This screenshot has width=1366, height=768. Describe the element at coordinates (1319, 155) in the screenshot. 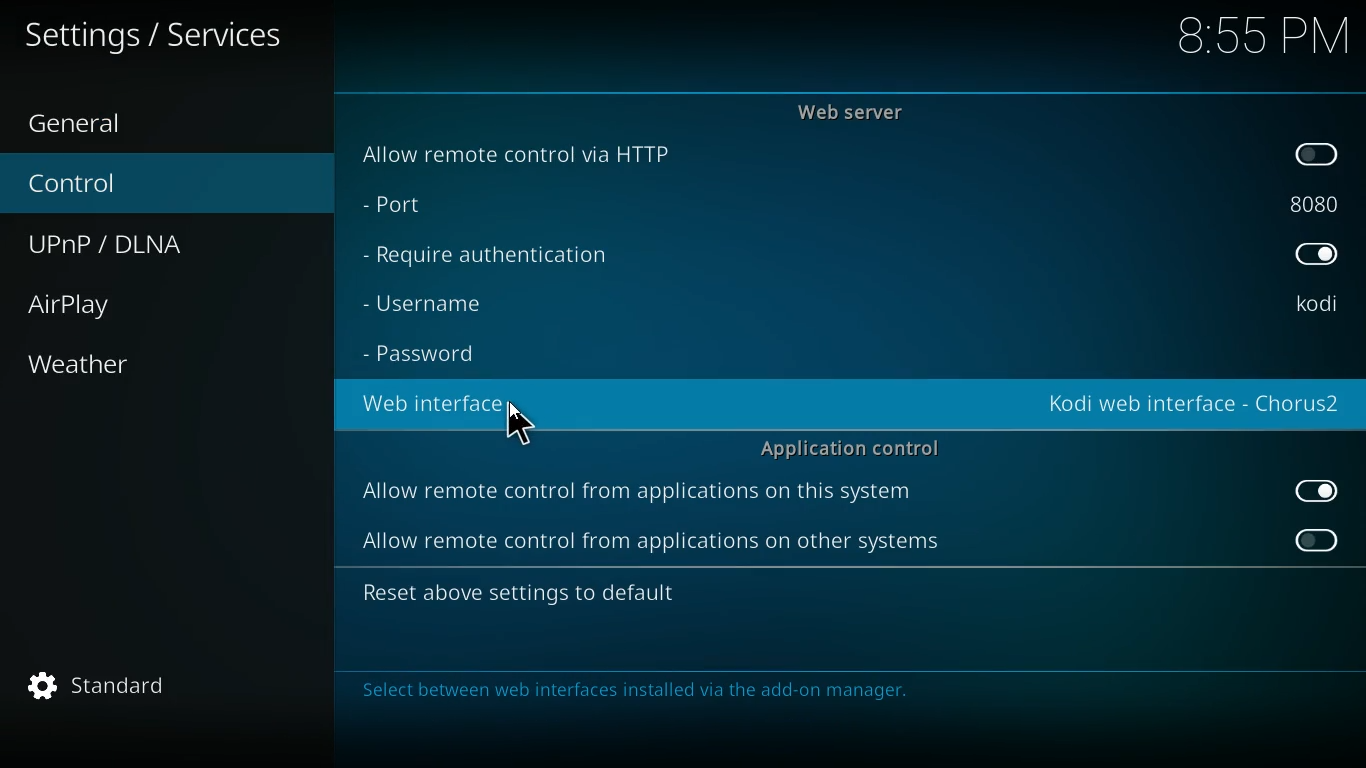

I see `off` at that location.